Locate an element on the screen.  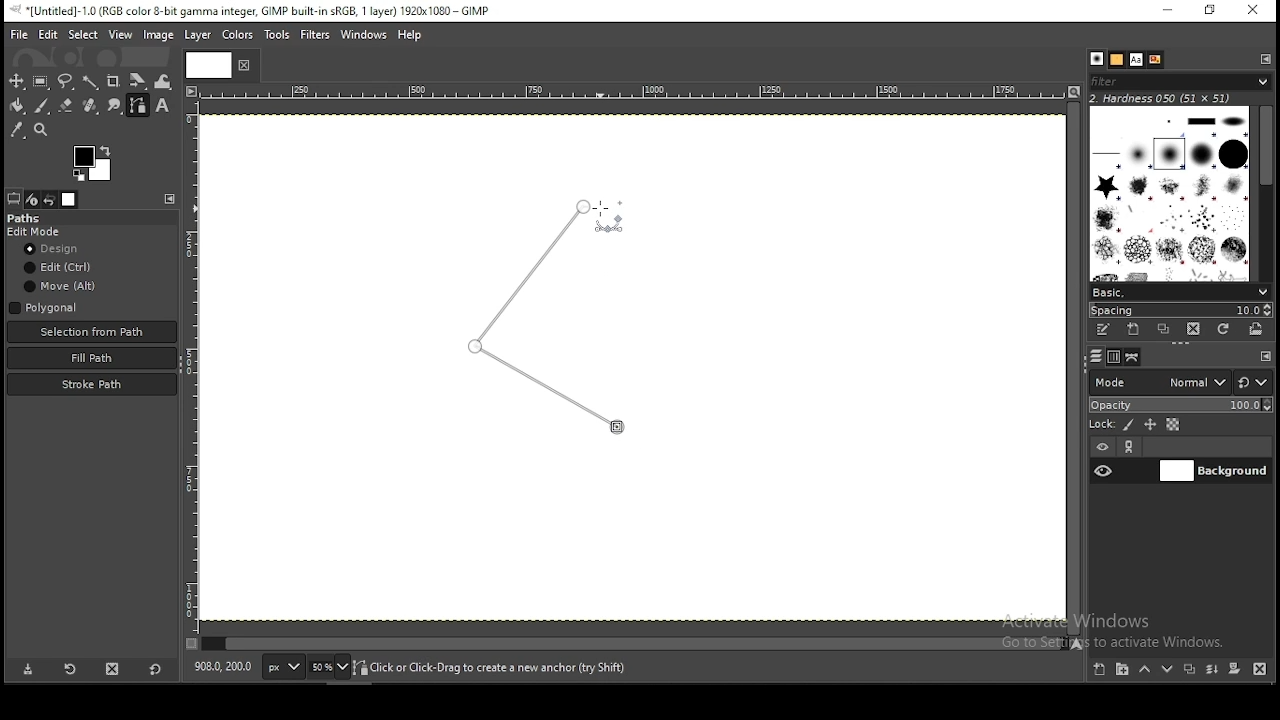
move layer one step down is located at coordinates (1168, 670).